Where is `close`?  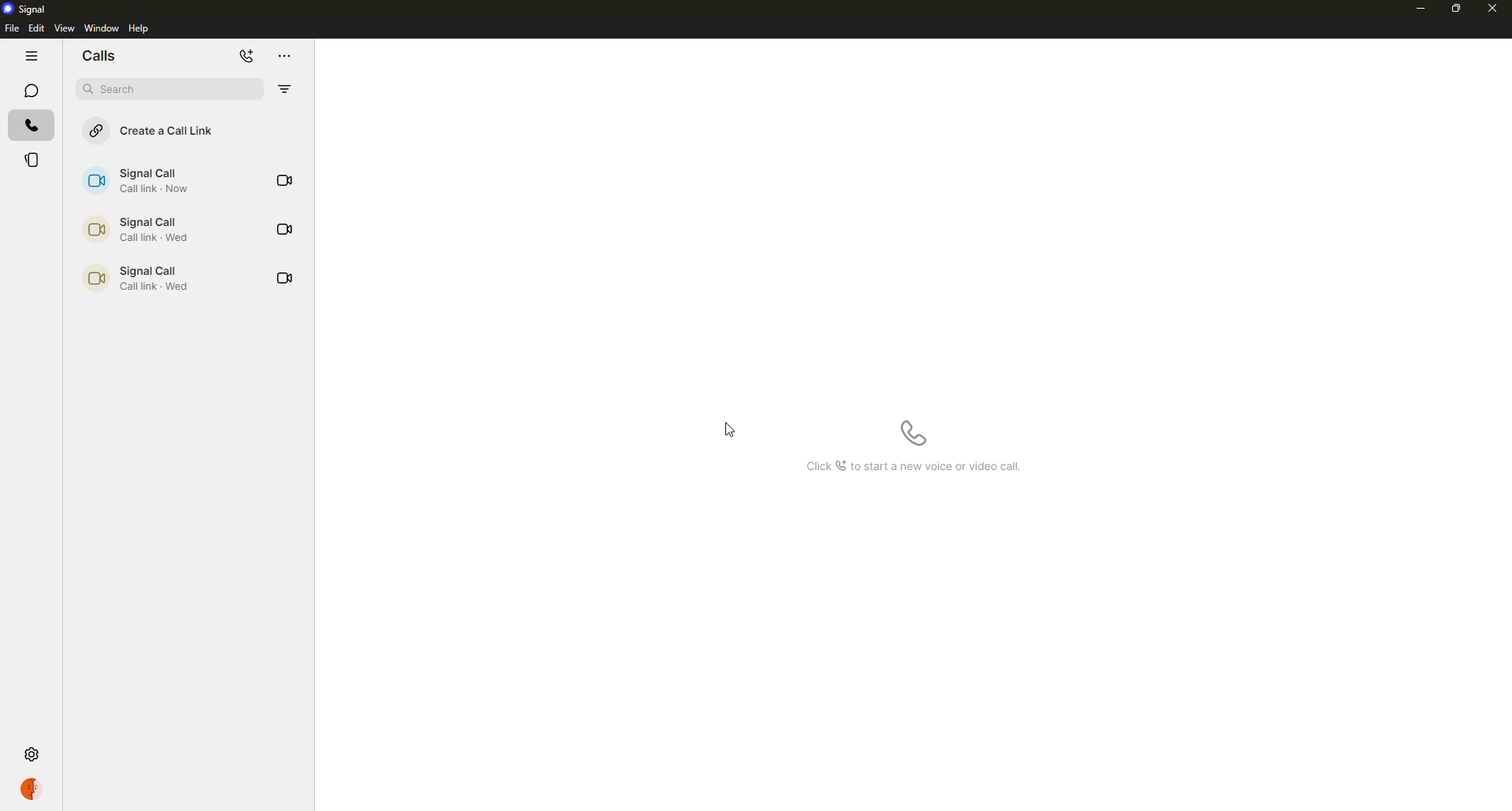
close is located at coordinates (1495, 8).